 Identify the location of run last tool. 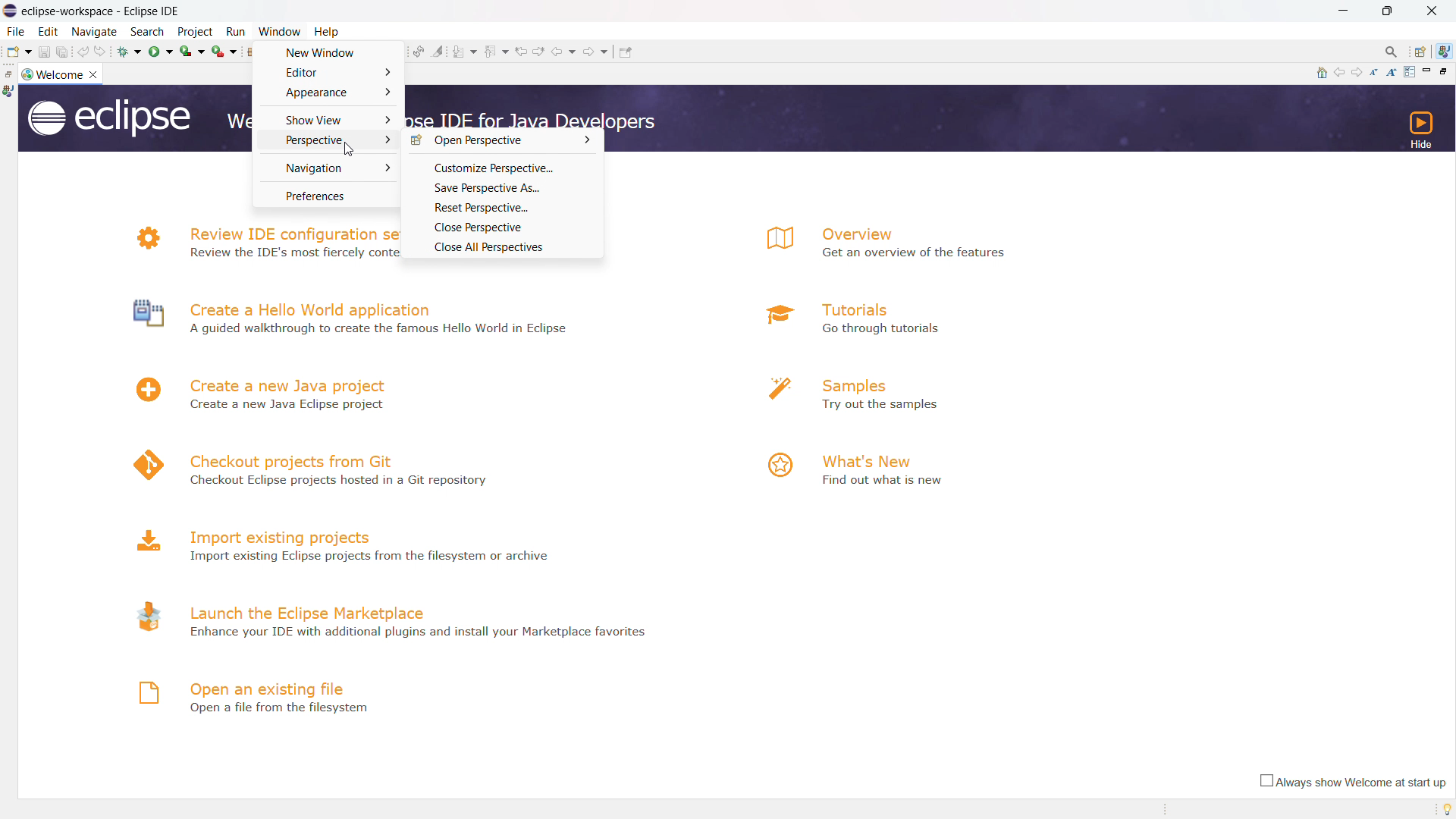
(224, 51).